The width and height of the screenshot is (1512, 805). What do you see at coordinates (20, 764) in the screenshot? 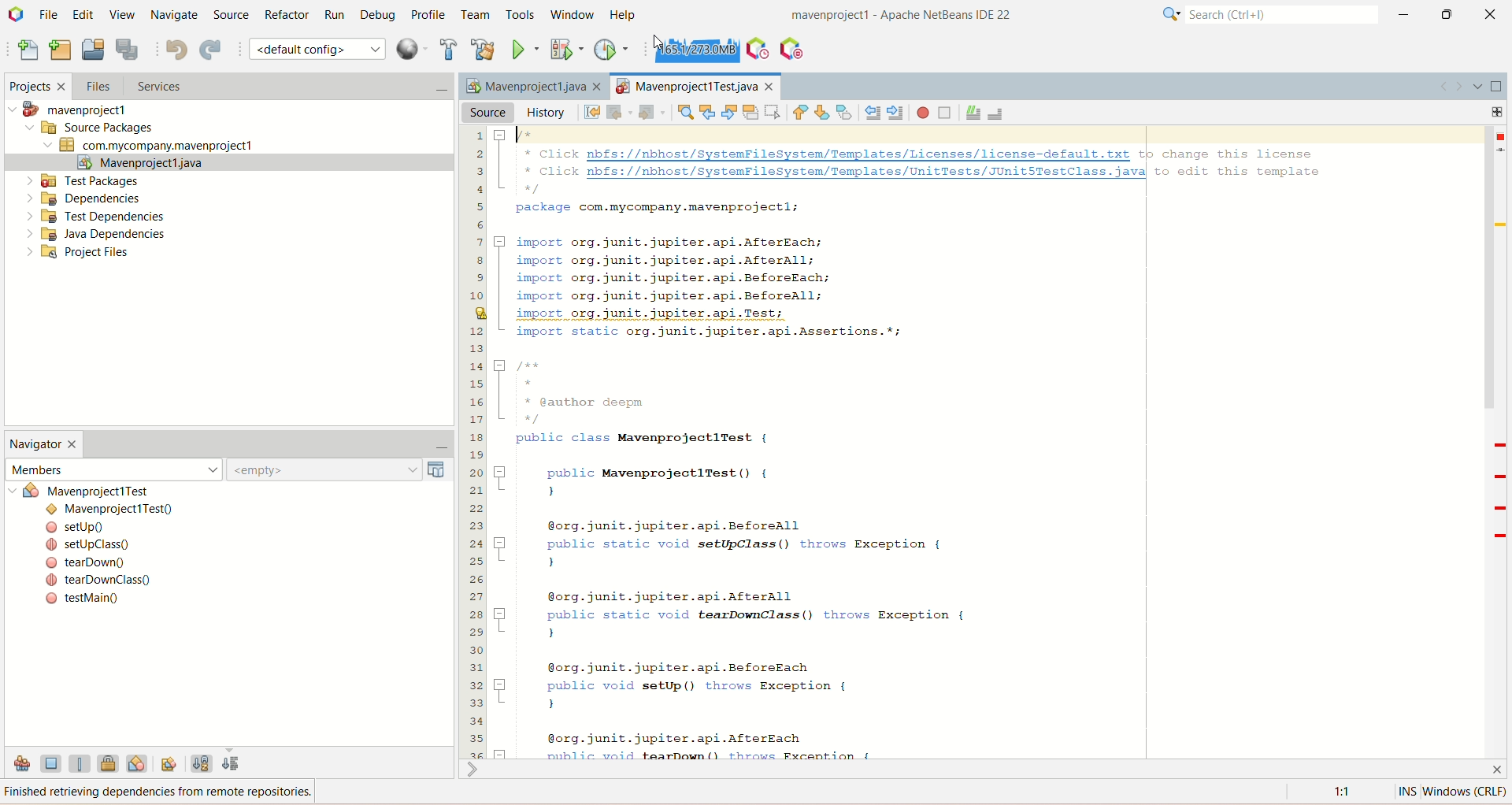
I see `show inherited members` at bounding box center [20, 764].